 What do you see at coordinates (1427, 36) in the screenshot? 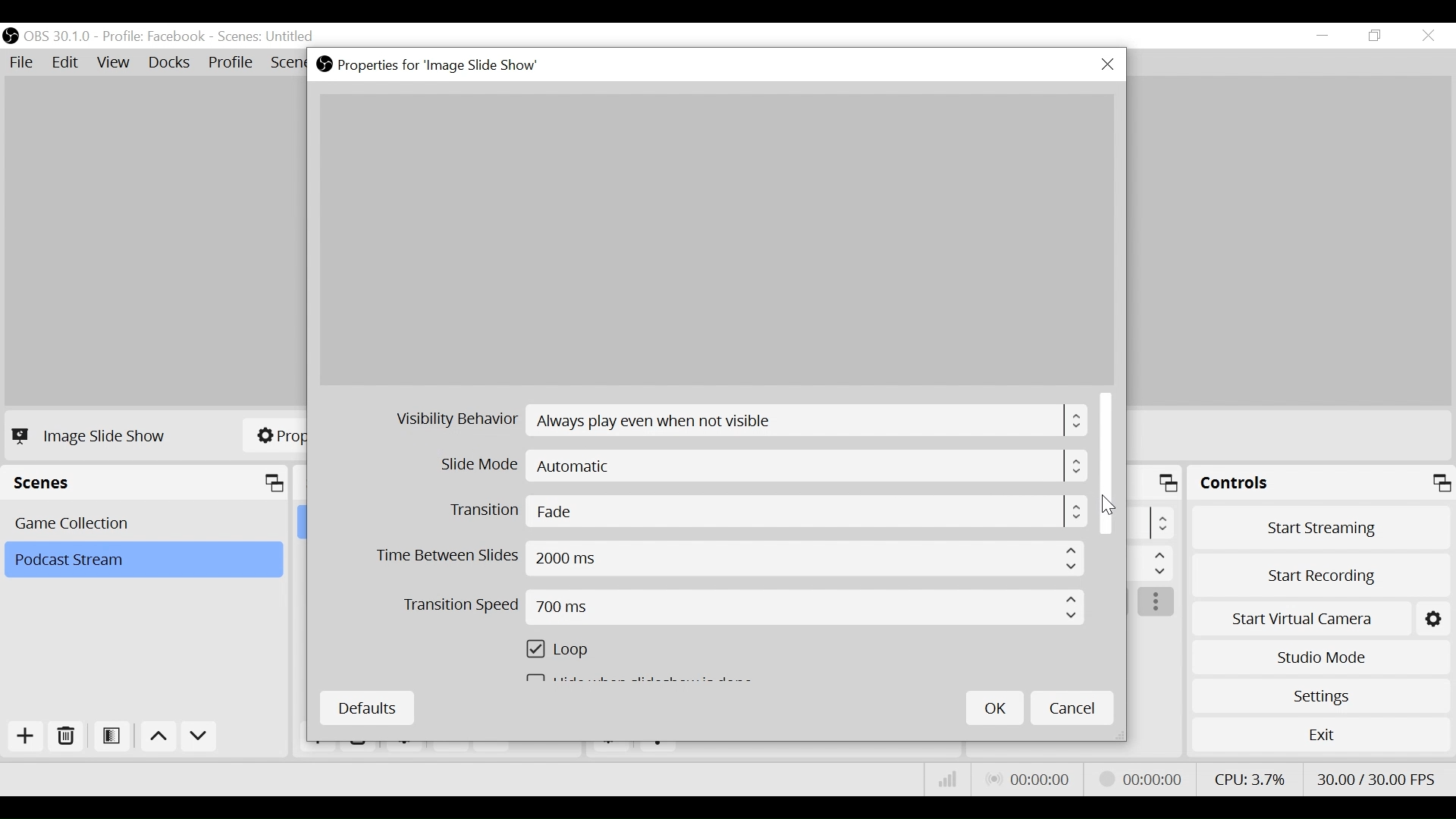
I see `Close` at bounding box center [1427, 36].